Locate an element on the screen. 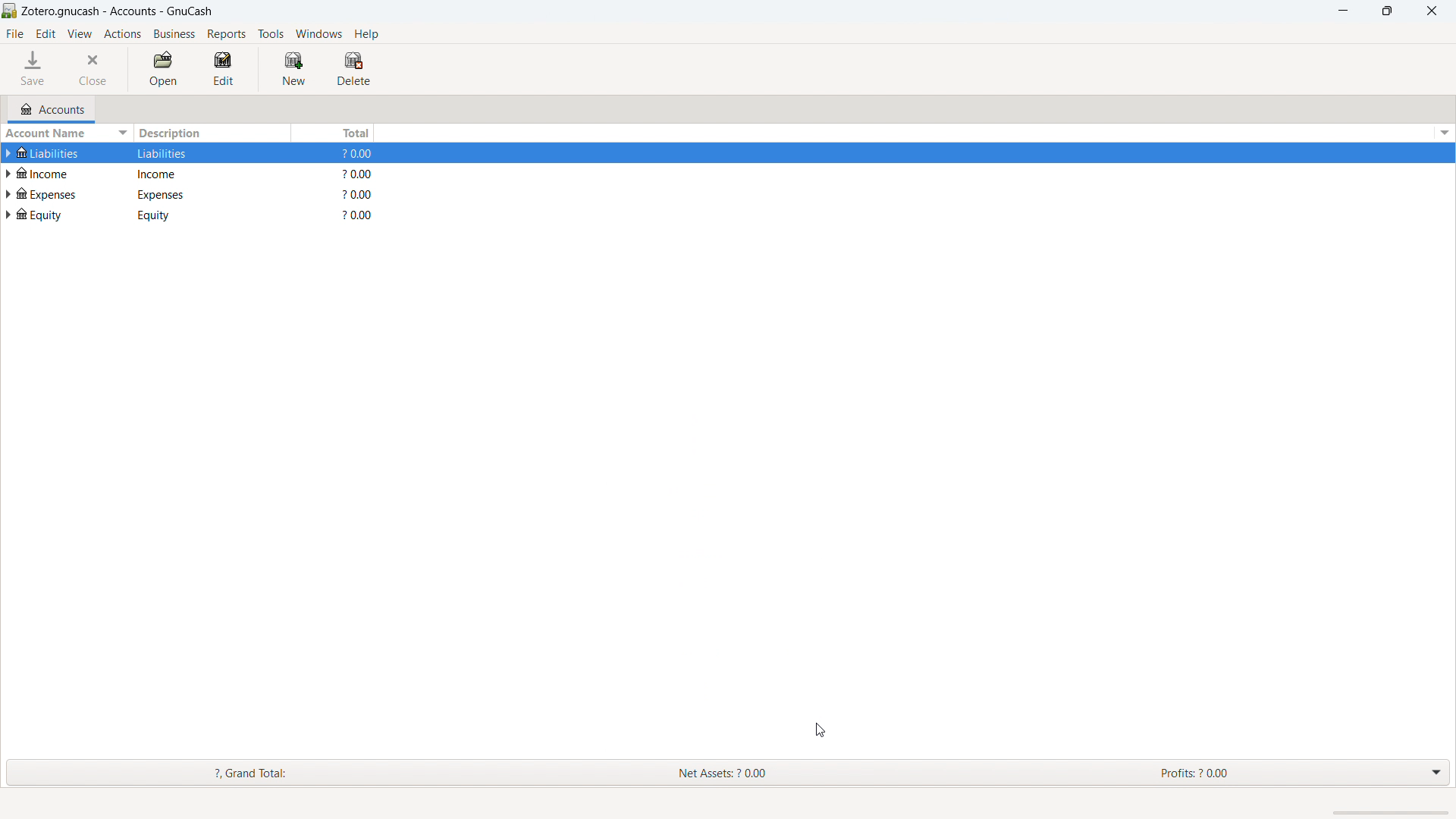 The width and height of the screenshot is (1456, 819). help is located at coordinates (366, 33).